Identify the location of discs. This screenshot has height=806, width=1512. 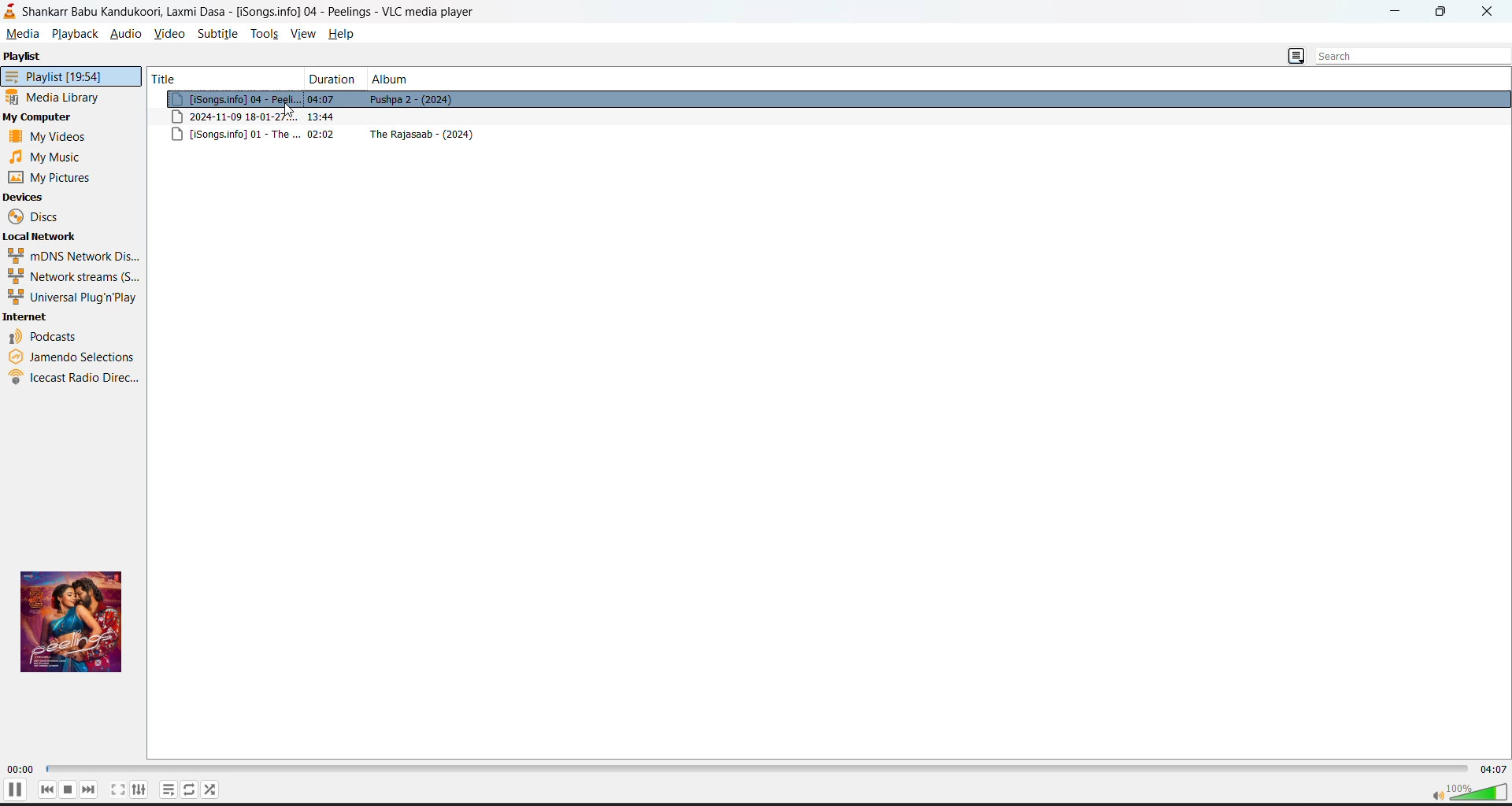
(47, 218).